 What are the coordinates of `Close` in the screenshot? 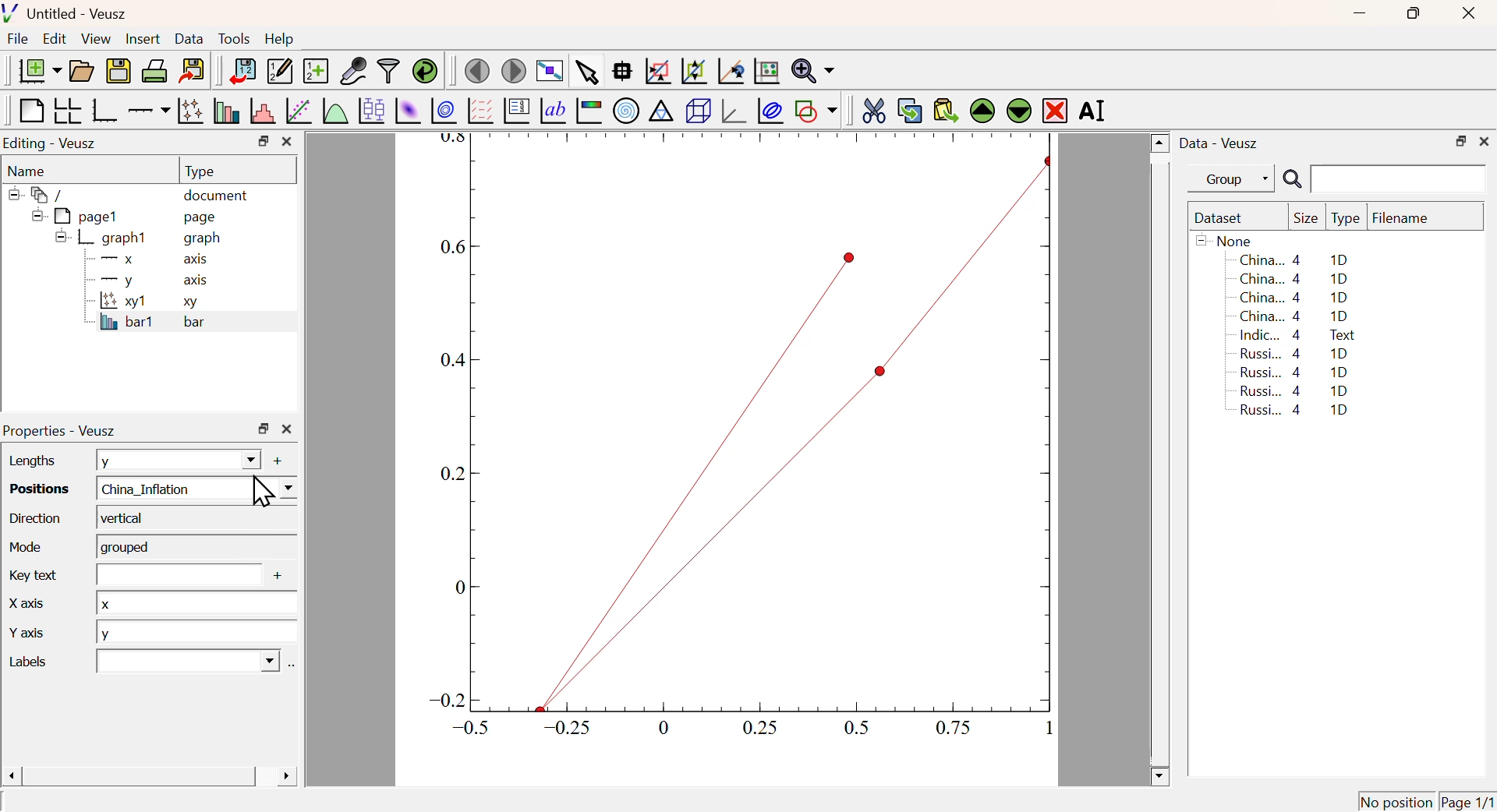 It's located at (1485, 139).